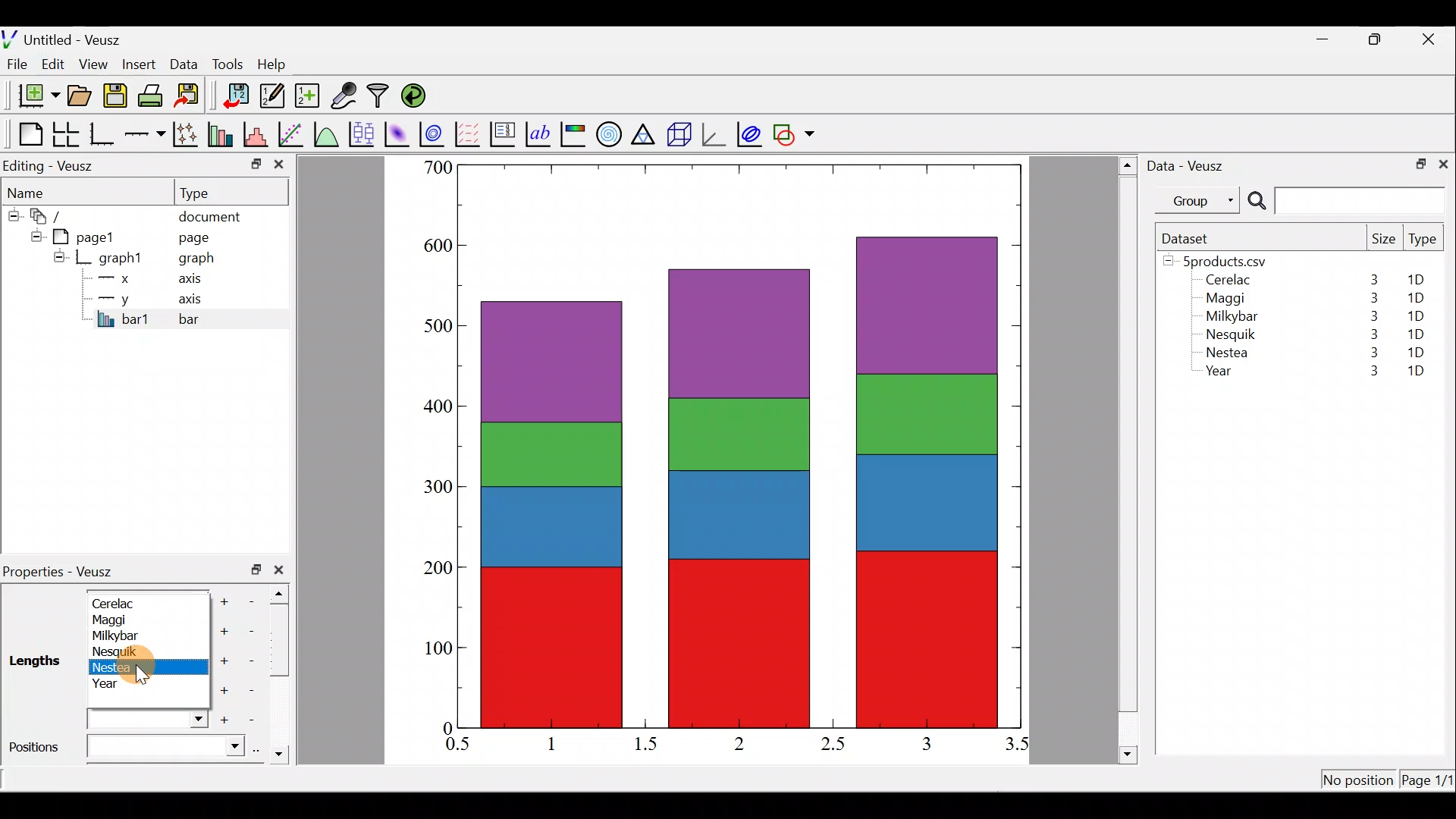  I want to click on 100, so click(433, 651).